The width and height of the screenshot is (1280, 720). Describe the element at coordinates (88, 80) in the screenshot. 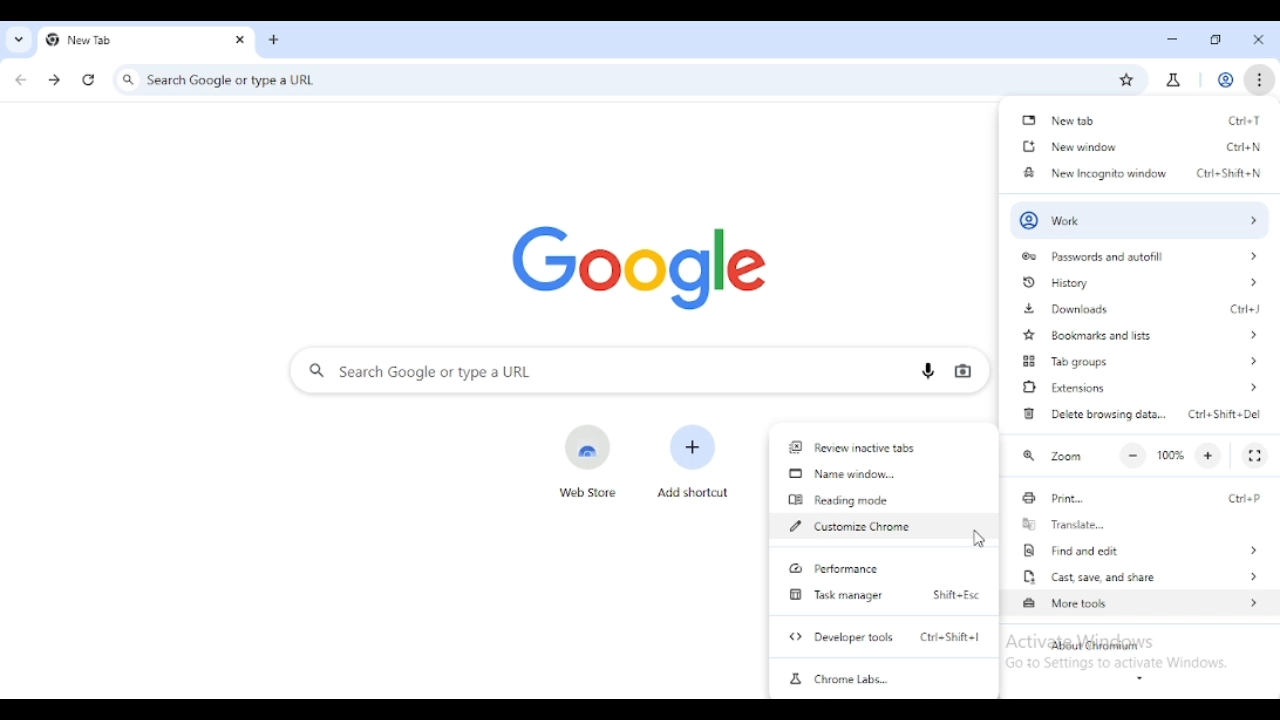

I see `reload this page` at that location.